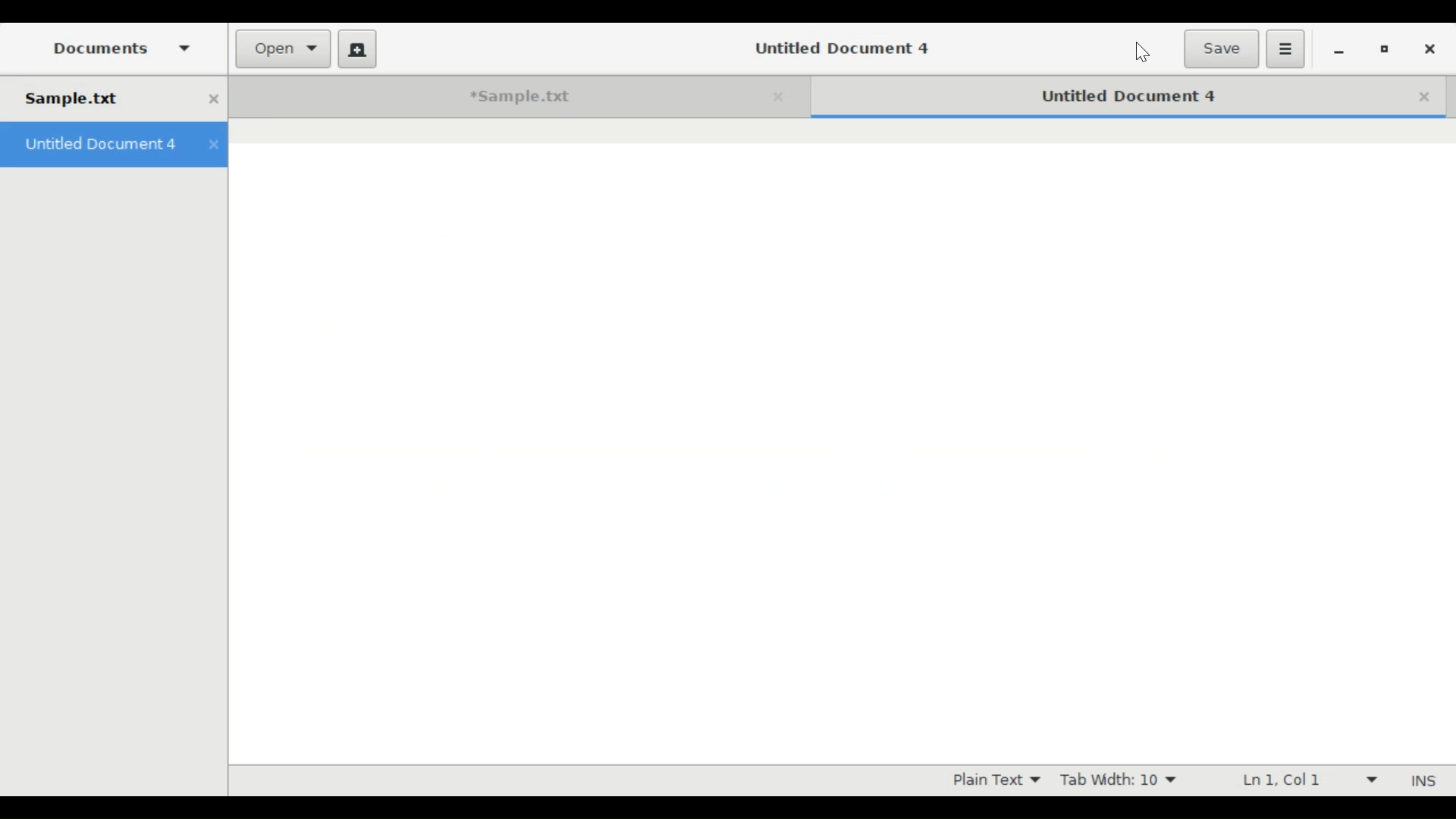  What do you see at coordinates (357, 49) in the screenshot?
I see `create new document` at bounding box center [357, 49].